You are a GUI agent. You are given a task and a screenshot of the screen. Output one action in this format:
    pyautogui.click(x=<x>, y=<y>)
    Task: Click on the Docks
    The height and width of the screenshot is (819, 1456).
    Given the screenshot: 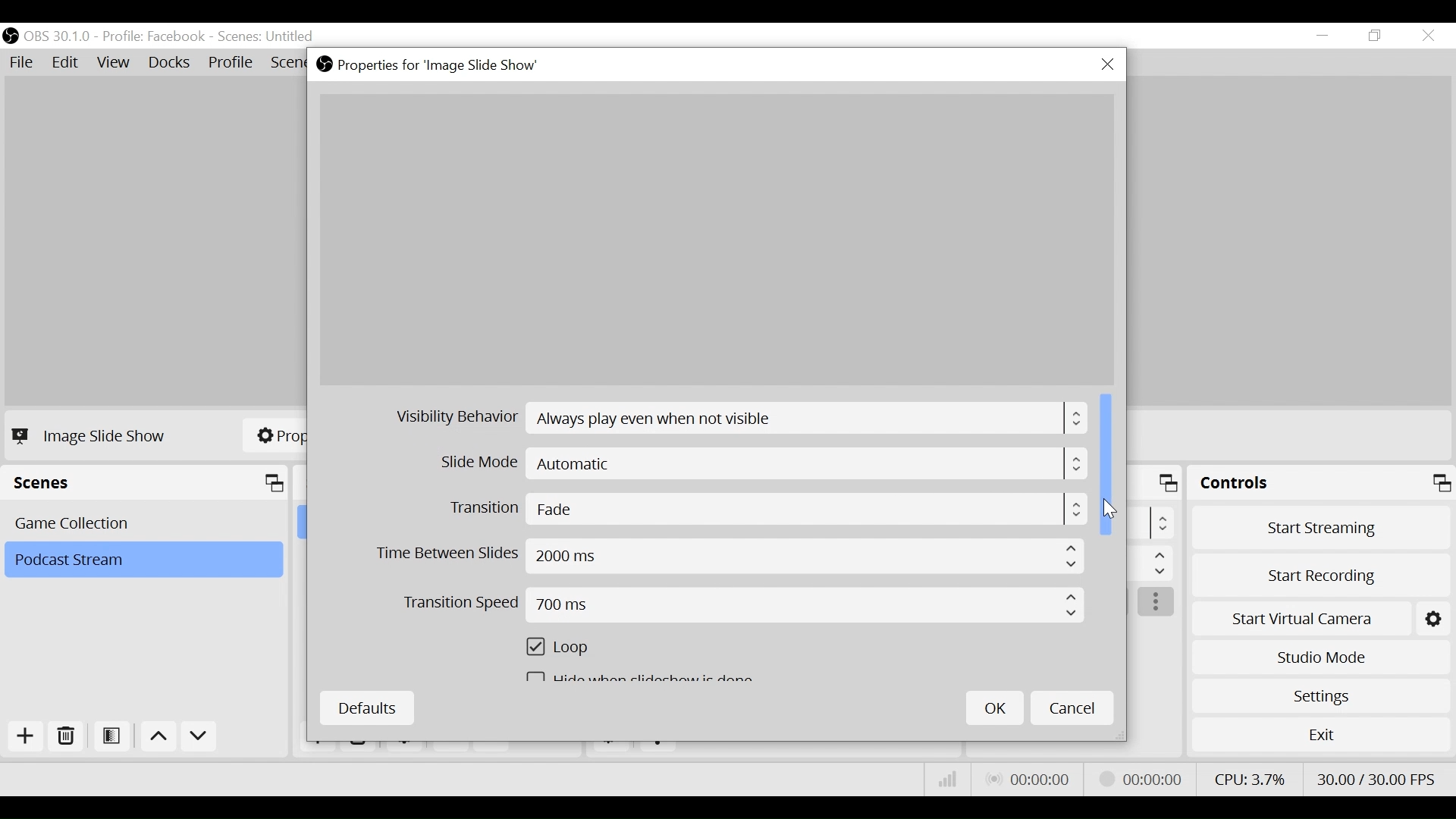 What is the action you would take?
    pyautogui.click(x=171, y=64)
    